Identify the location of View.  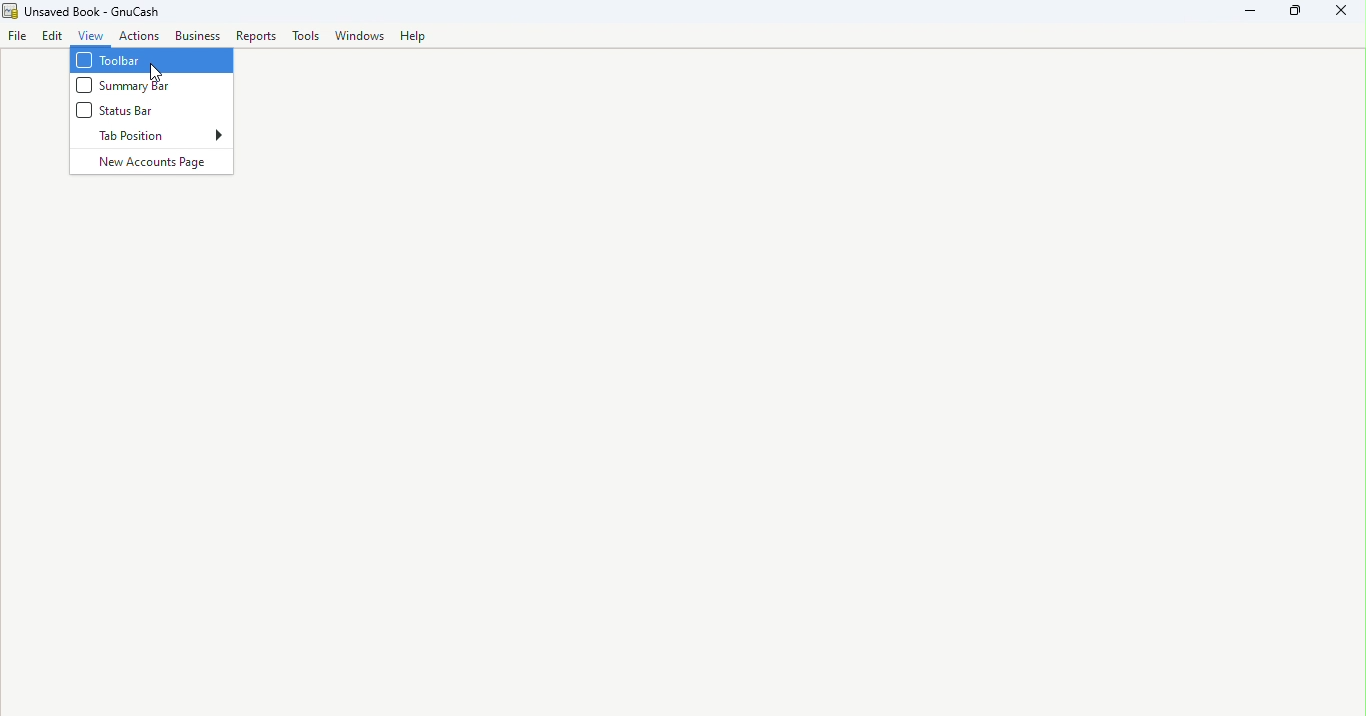
(93, 36).